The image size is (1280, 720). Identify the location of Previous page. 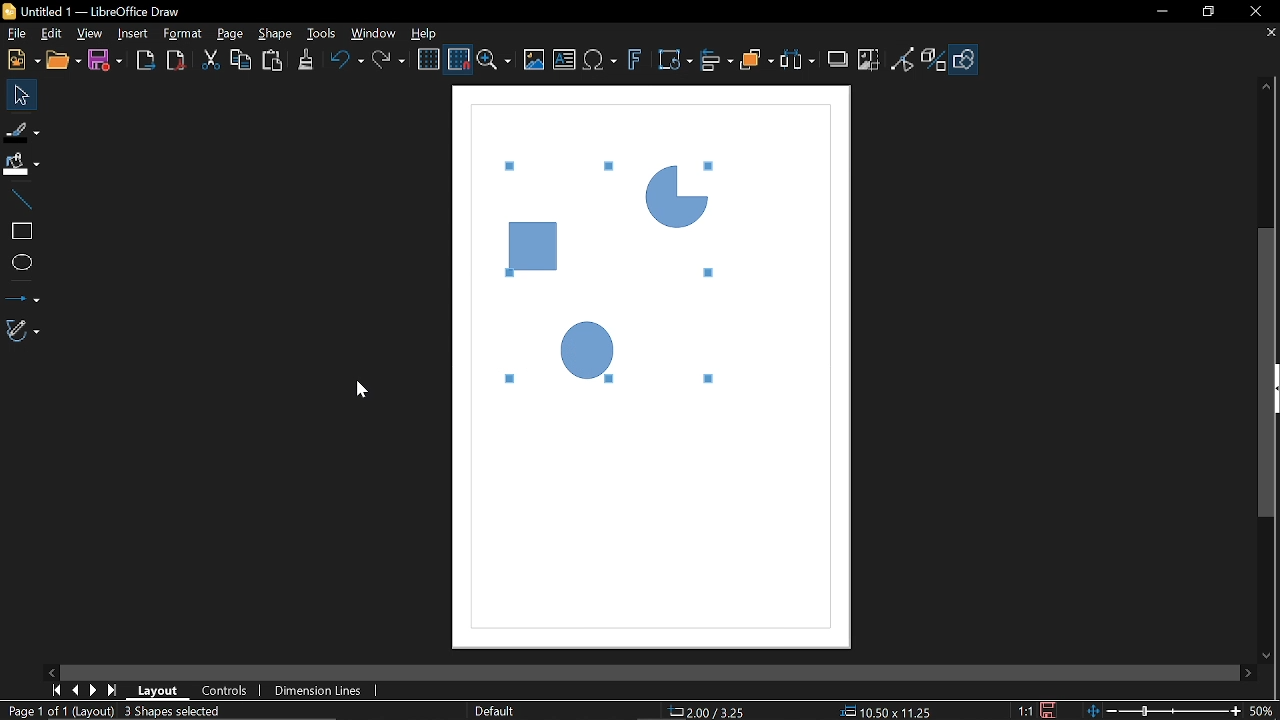
(77, 690).